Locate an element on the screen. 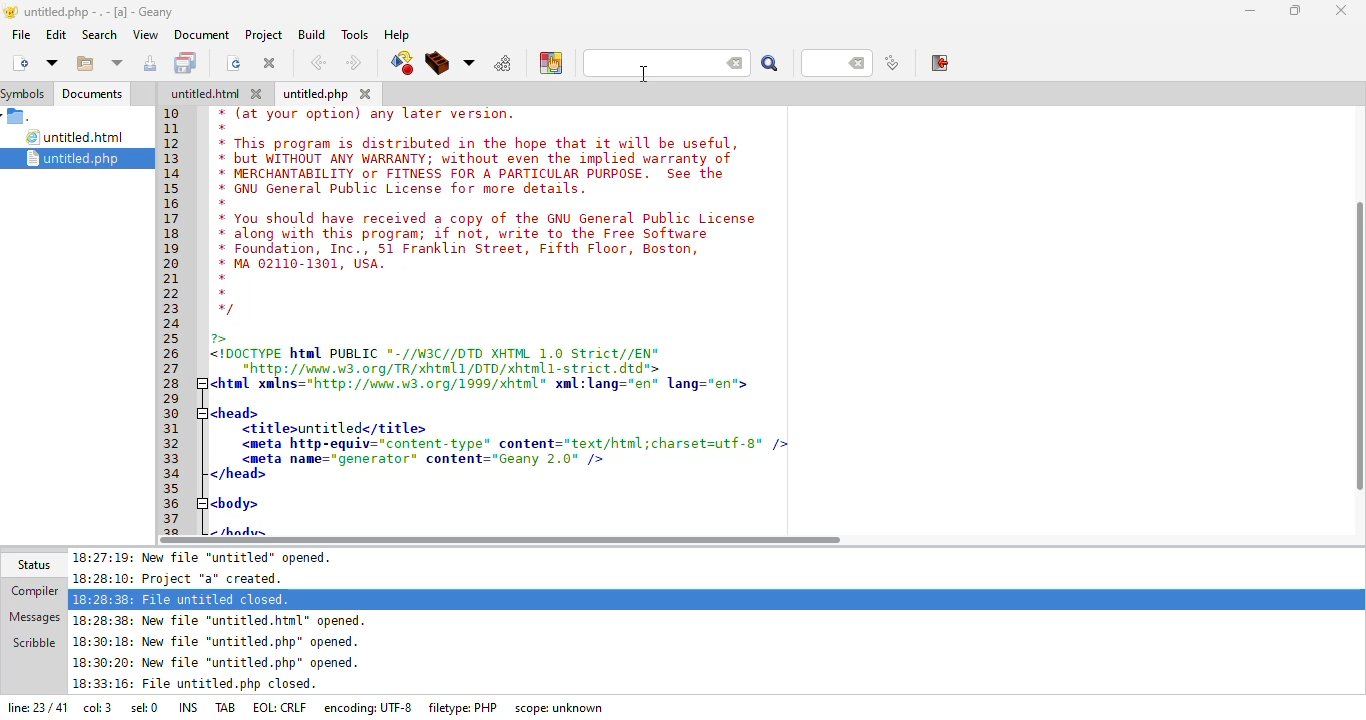 The image size is (1366, 720). help is located at coordinates (396, 35).